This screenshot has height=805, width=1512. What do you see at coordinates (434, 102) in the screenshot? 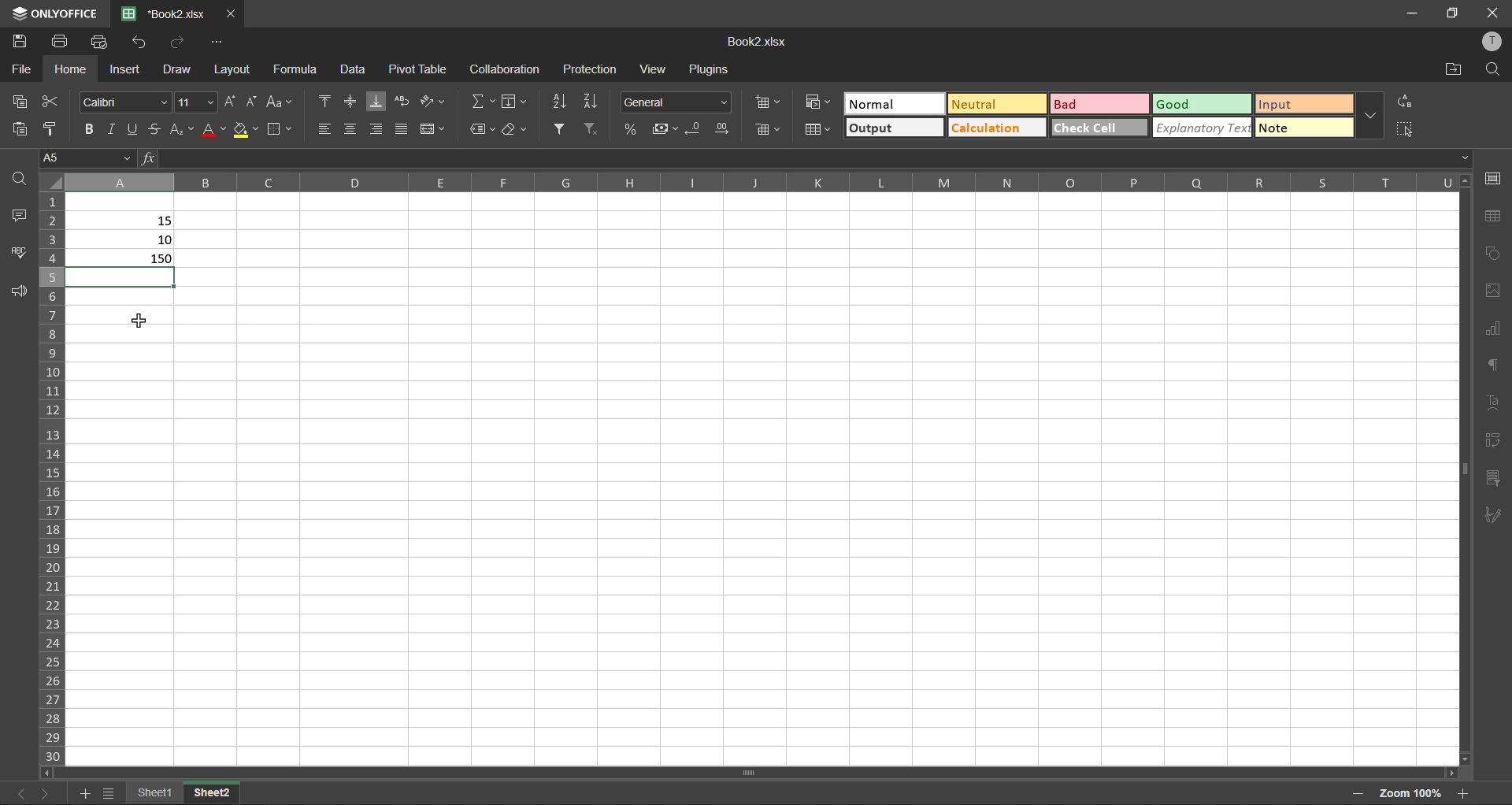
I see `orientation` at bounding box center [434, 102].